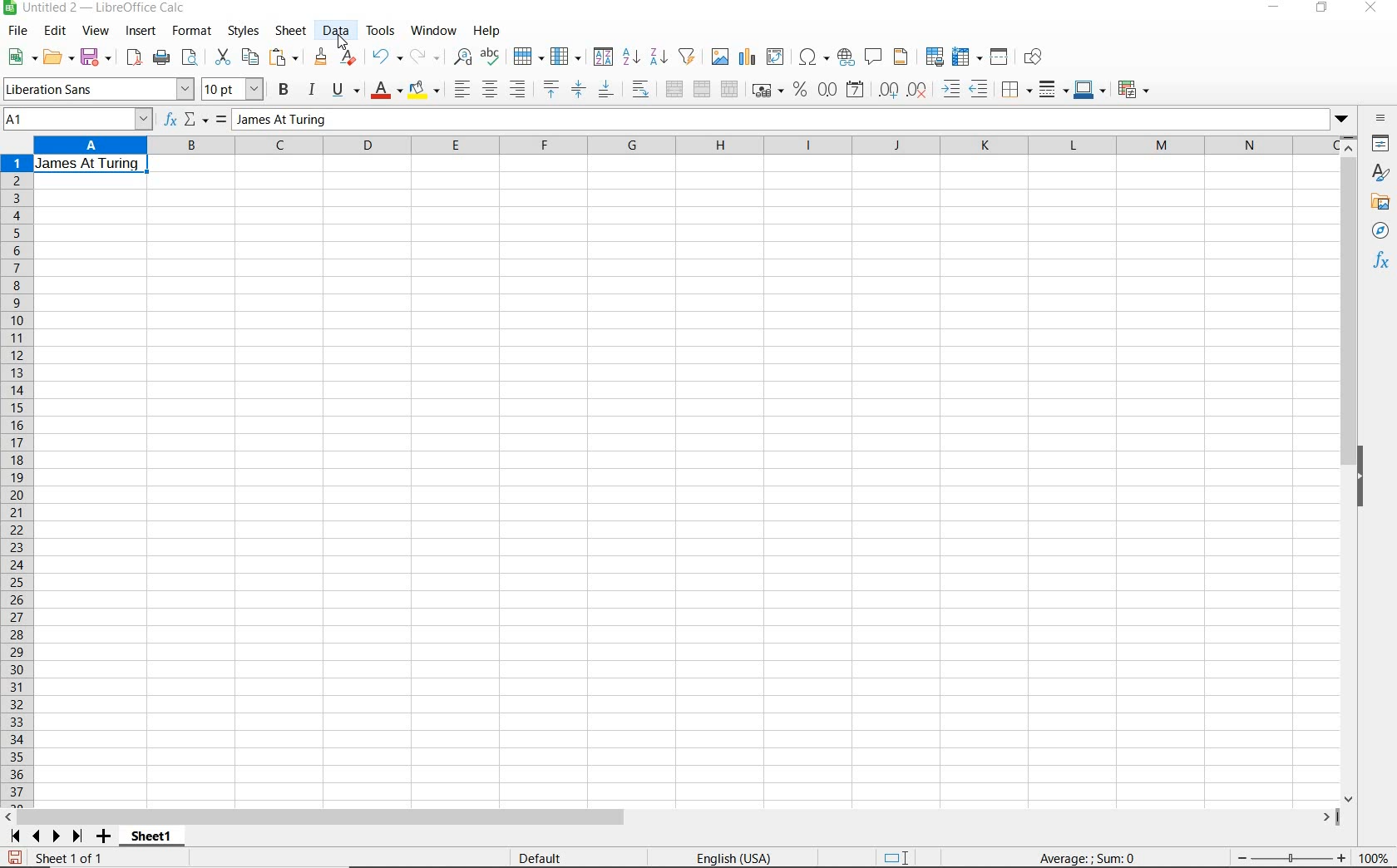 This screenshot has width=1397, height=868. Describe the element at coordinates (346, 90) in the screenshot. I see `underline` at that location.